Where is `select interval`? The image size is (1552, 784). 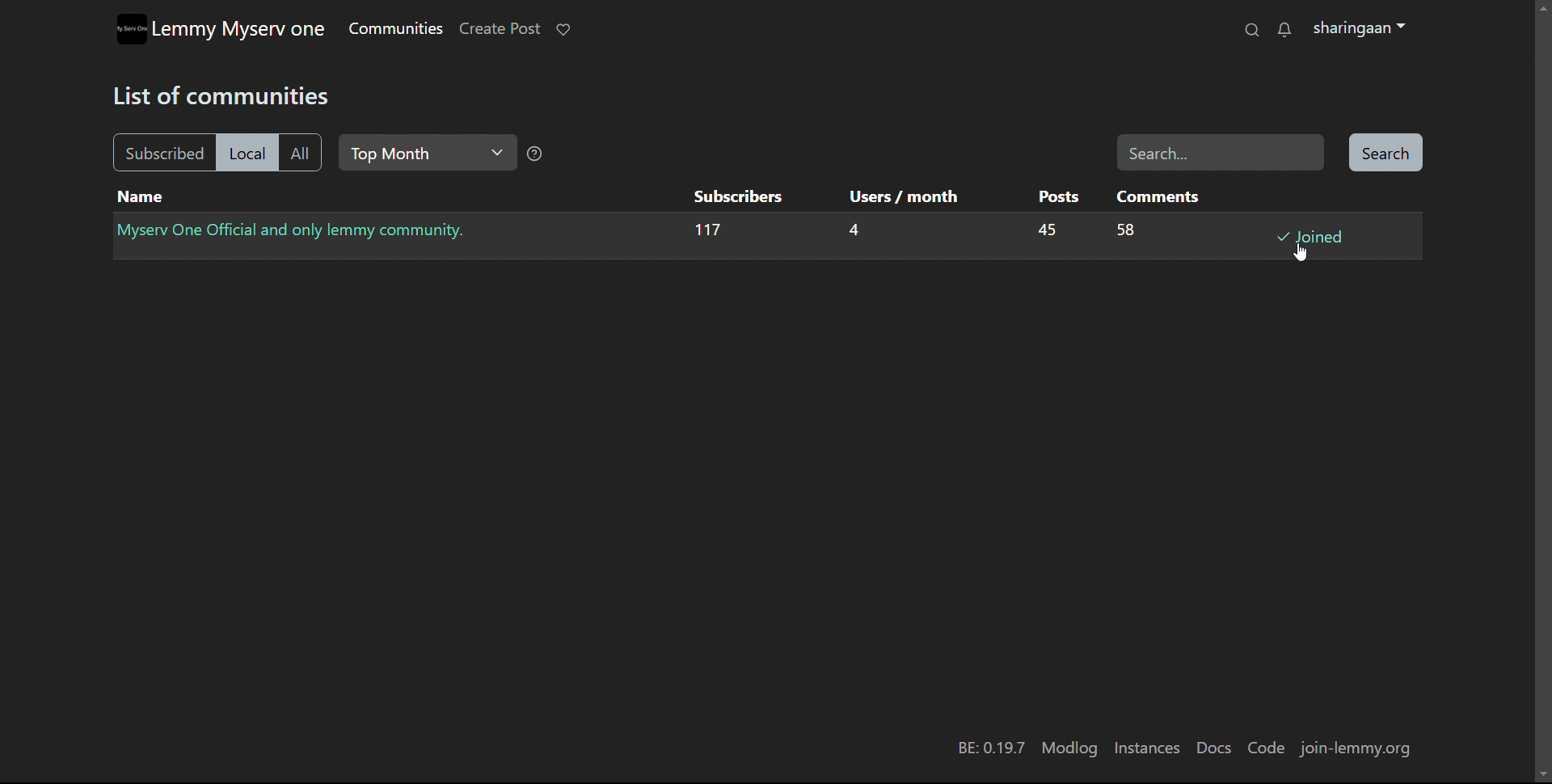
select interval is located at coordinates (427, 153).